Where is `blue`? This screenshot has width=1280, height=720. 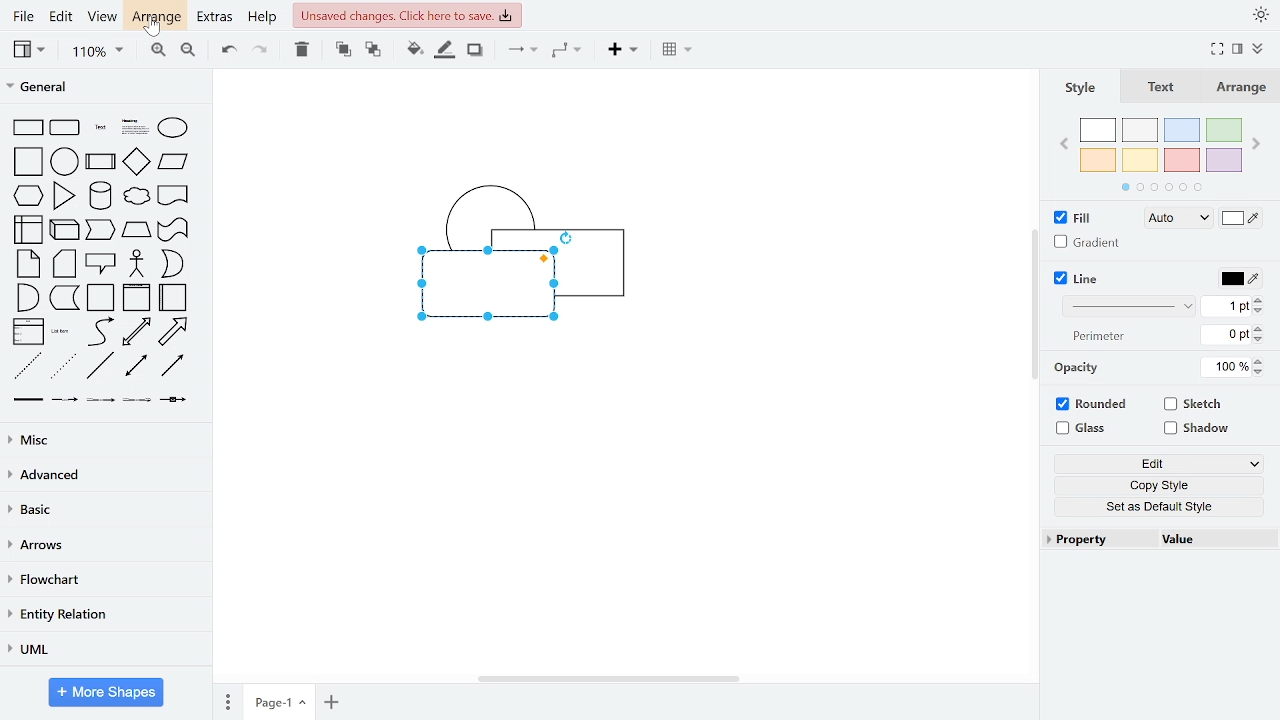 blue is located at coordinates (1182, 130).